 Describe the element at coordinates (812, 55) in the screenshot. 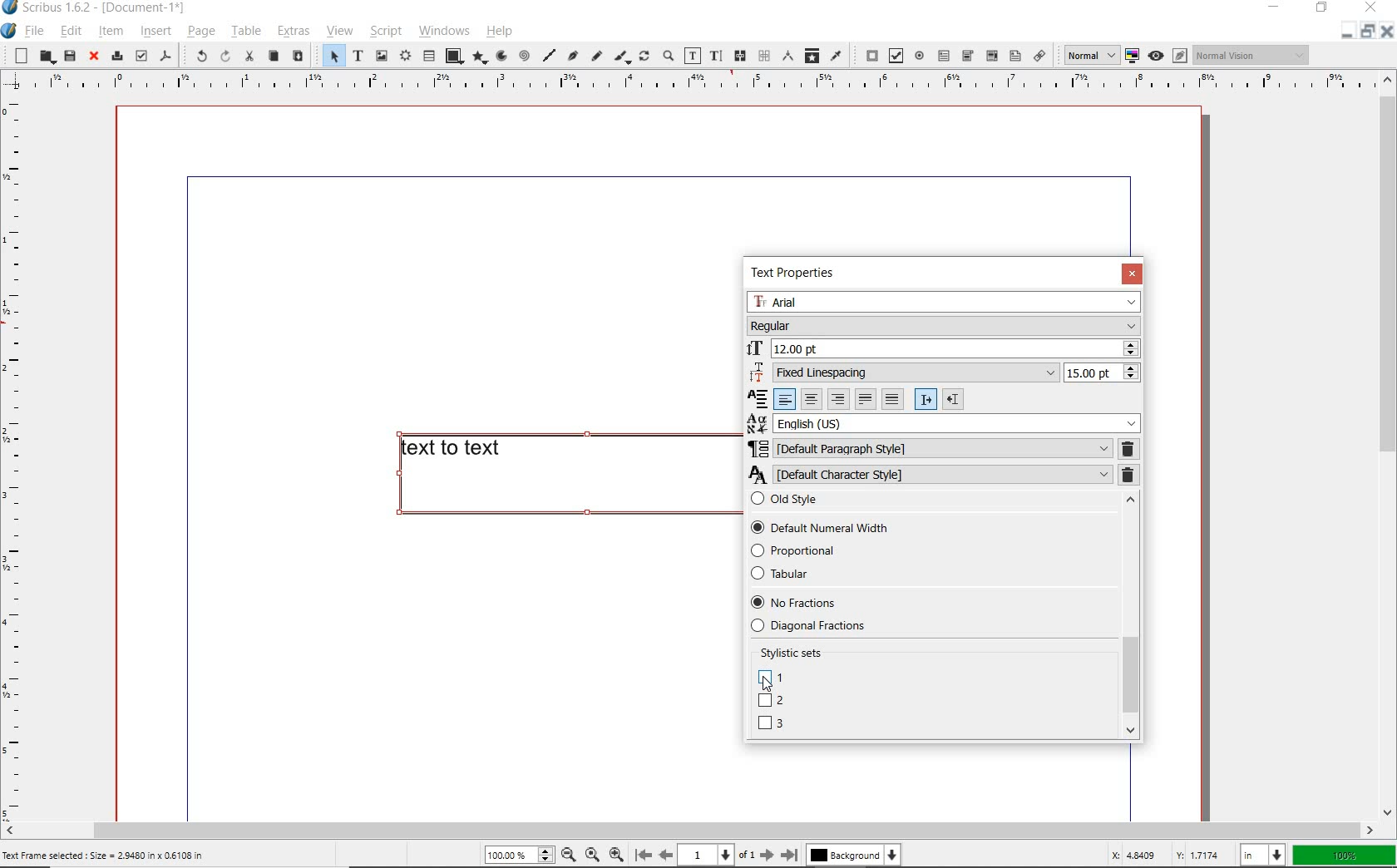

I see `copy item properties` at that location.